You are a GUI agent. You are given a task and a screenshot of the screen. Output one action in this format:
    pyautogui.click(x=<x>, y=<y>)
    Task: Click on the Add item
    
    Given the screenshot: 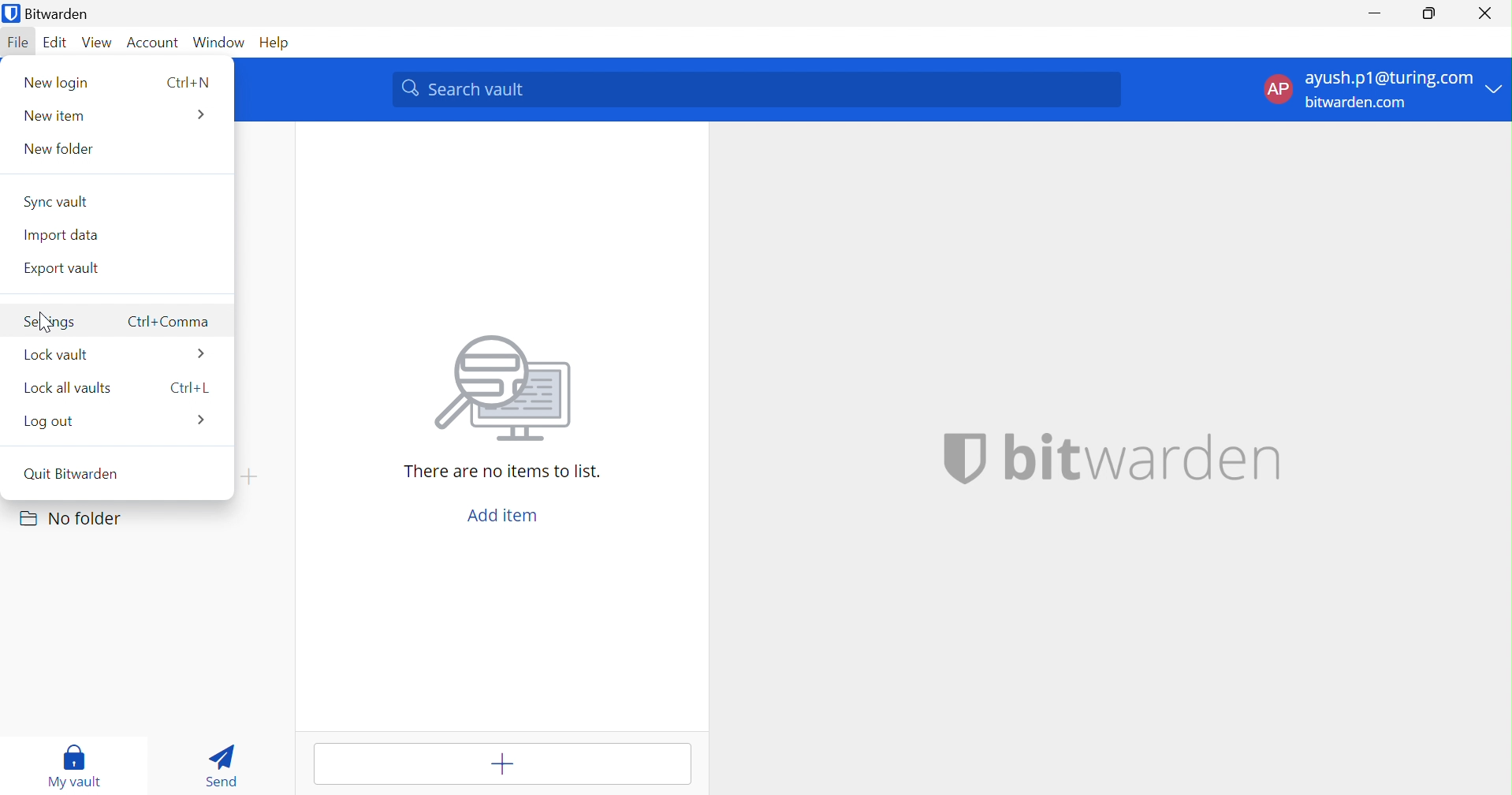 What is the action you would take?
    pyautogui.click(x=497, y=764)
    